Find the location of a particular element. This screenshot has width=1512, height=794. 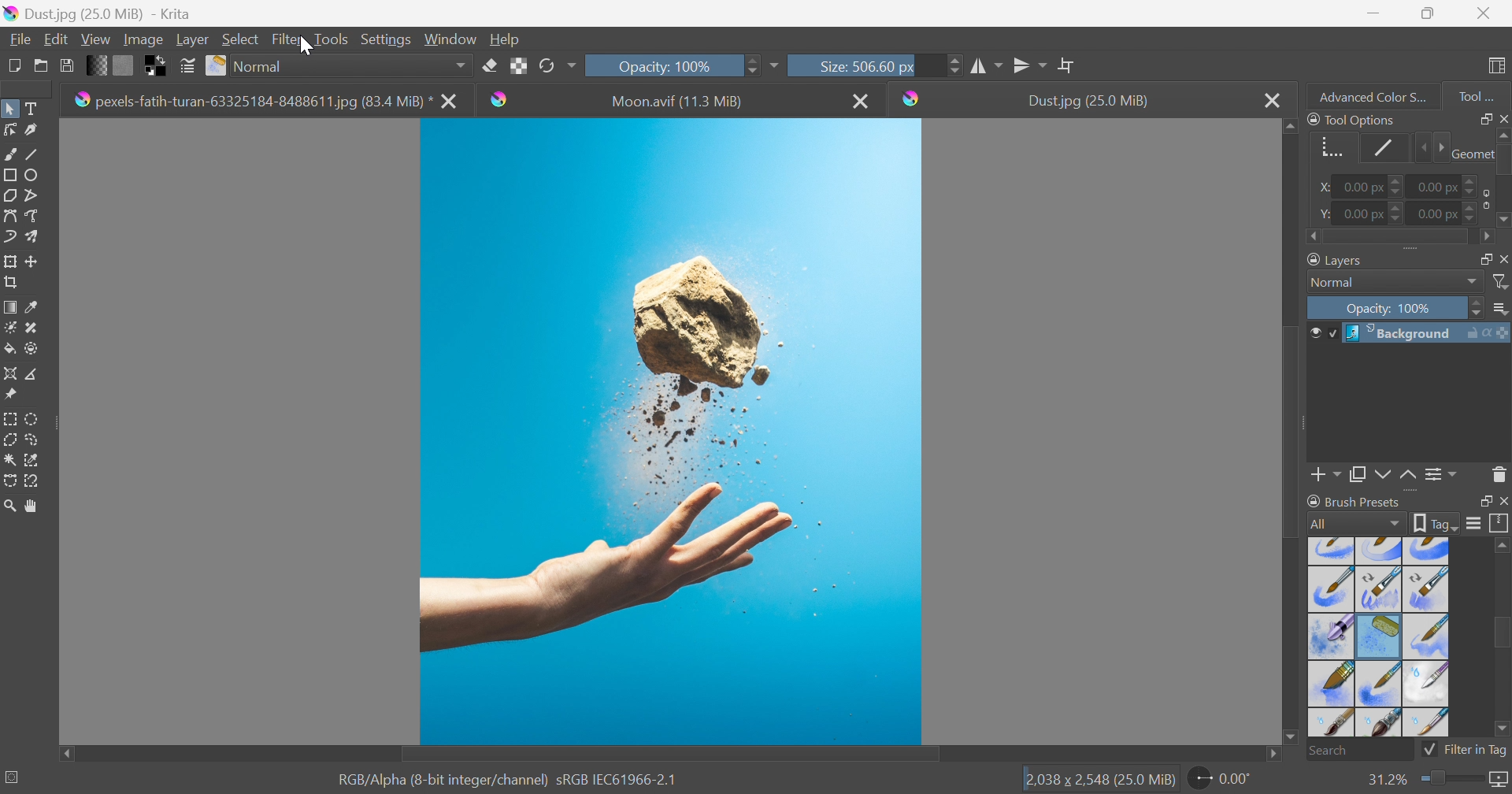

Select is located at coordinates (241, 39).